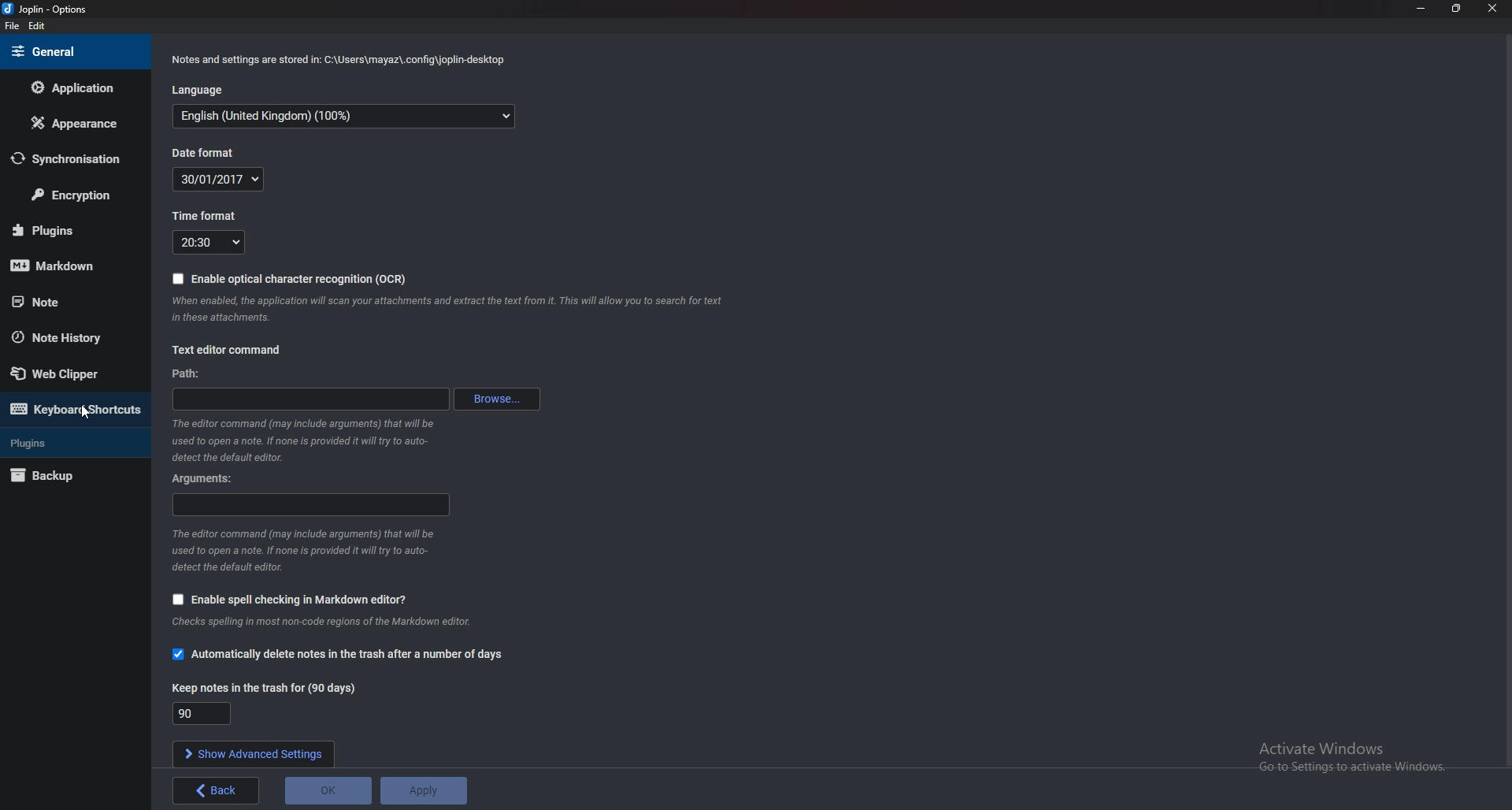 This screenshot has width=1512, height=810. Describe the element at coordinates (216, 790) in the screenshot. I see `back` at that location.